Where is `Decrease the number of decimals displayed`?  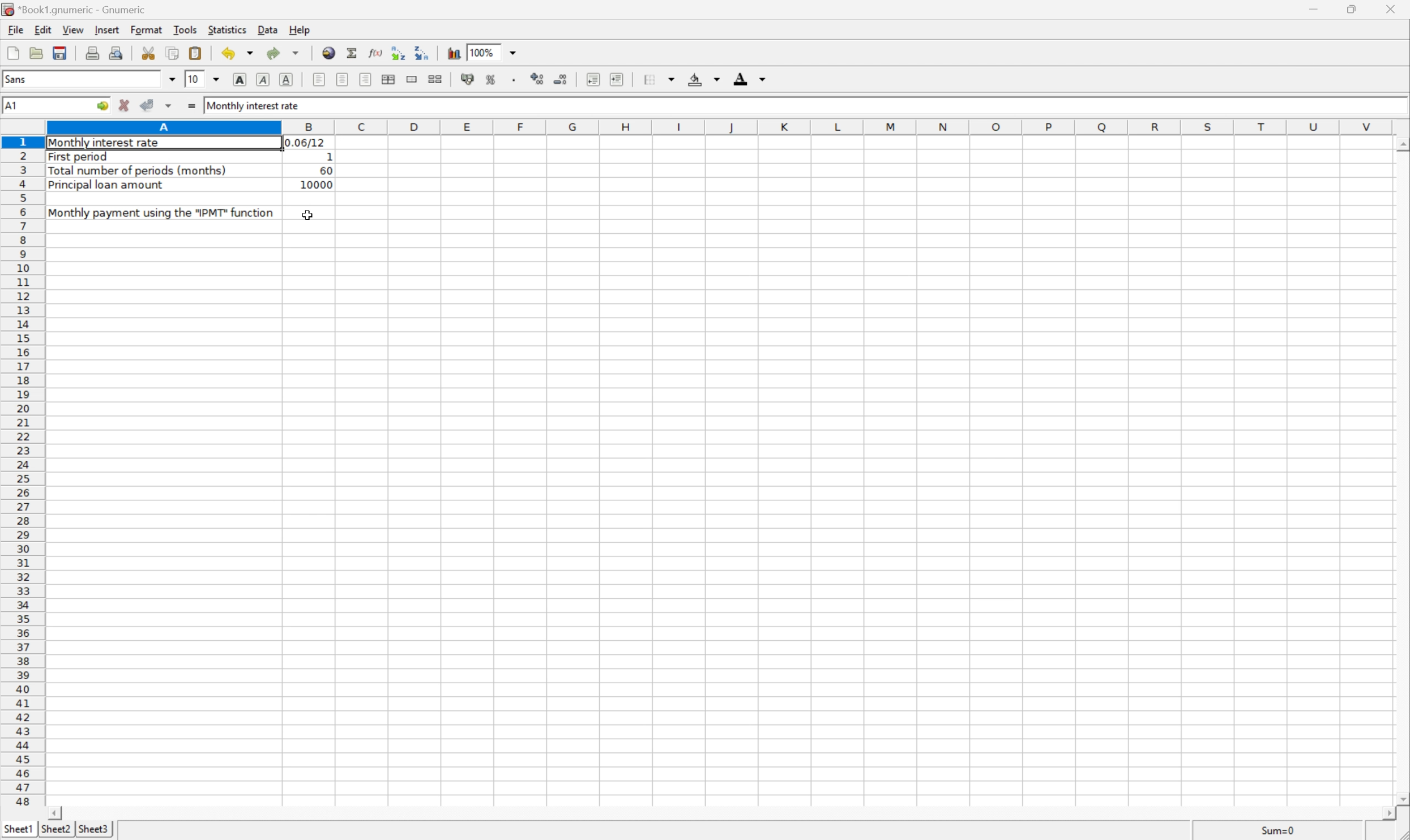
Decrease the number of decimals displayed is located at coordinates (562, 79).